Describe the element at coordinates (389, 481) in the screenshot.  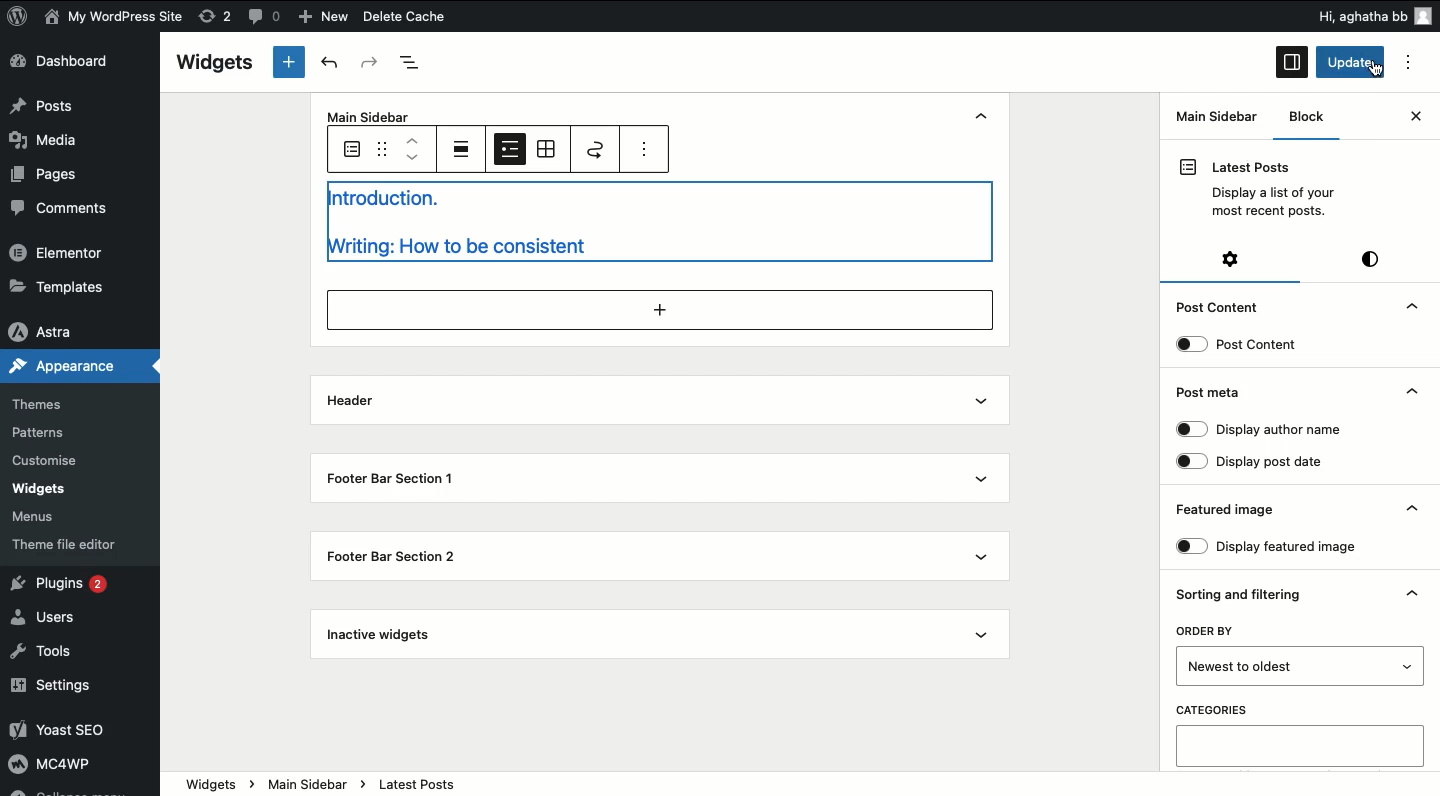
I see `Footer bar section 1` at that location.